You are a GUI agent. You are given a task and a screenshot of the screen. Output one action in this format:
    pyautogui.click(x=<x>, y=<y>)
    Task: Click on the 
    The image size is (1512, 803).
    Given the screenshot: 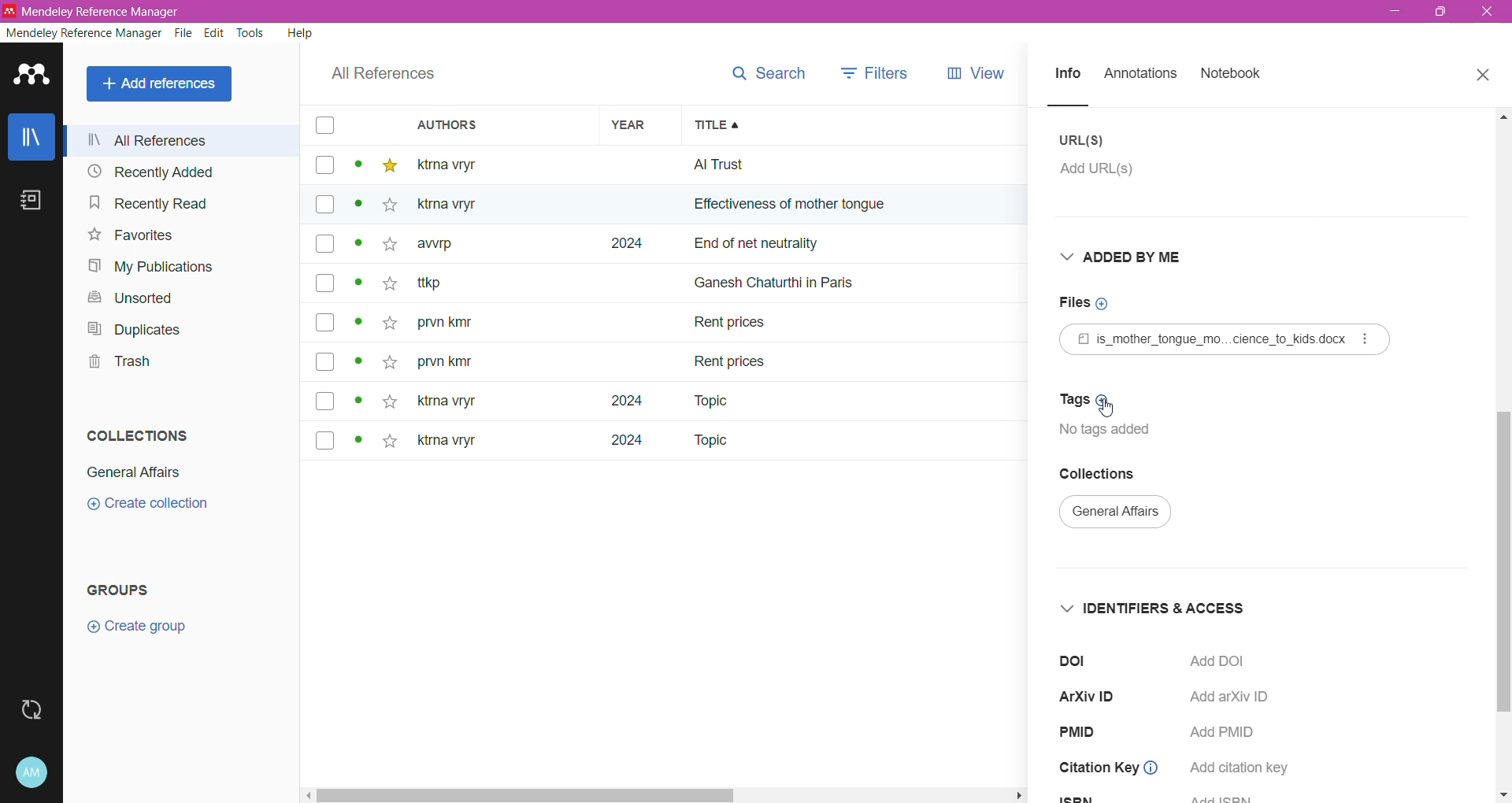 What is the action you would take?
    pyautogui.click(x=1077, y=661)
    